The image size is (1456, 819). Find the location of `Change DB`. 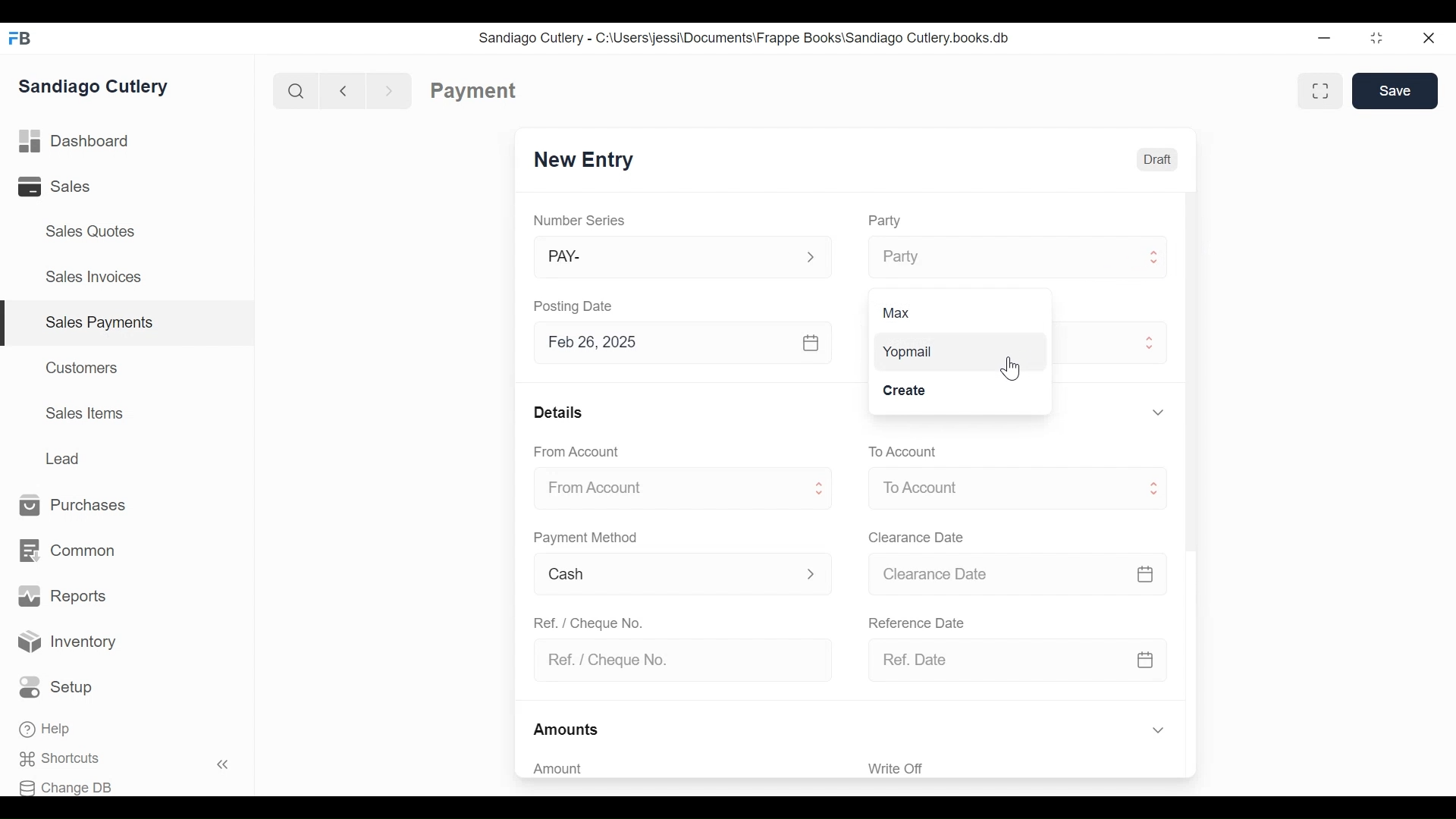

Change DB is located at coordinates (71, 786).